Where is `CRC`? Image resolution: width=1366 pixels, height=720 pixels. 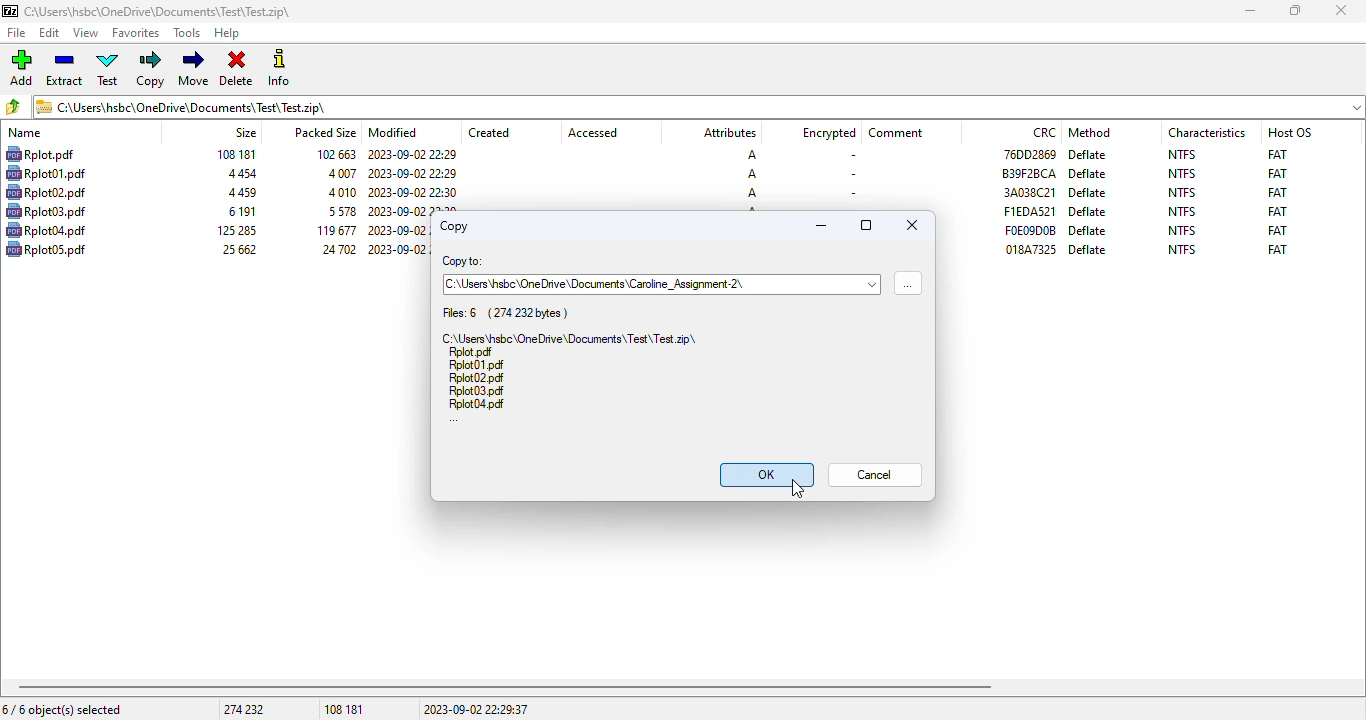 CRC is located at coordinates (1028, 153).